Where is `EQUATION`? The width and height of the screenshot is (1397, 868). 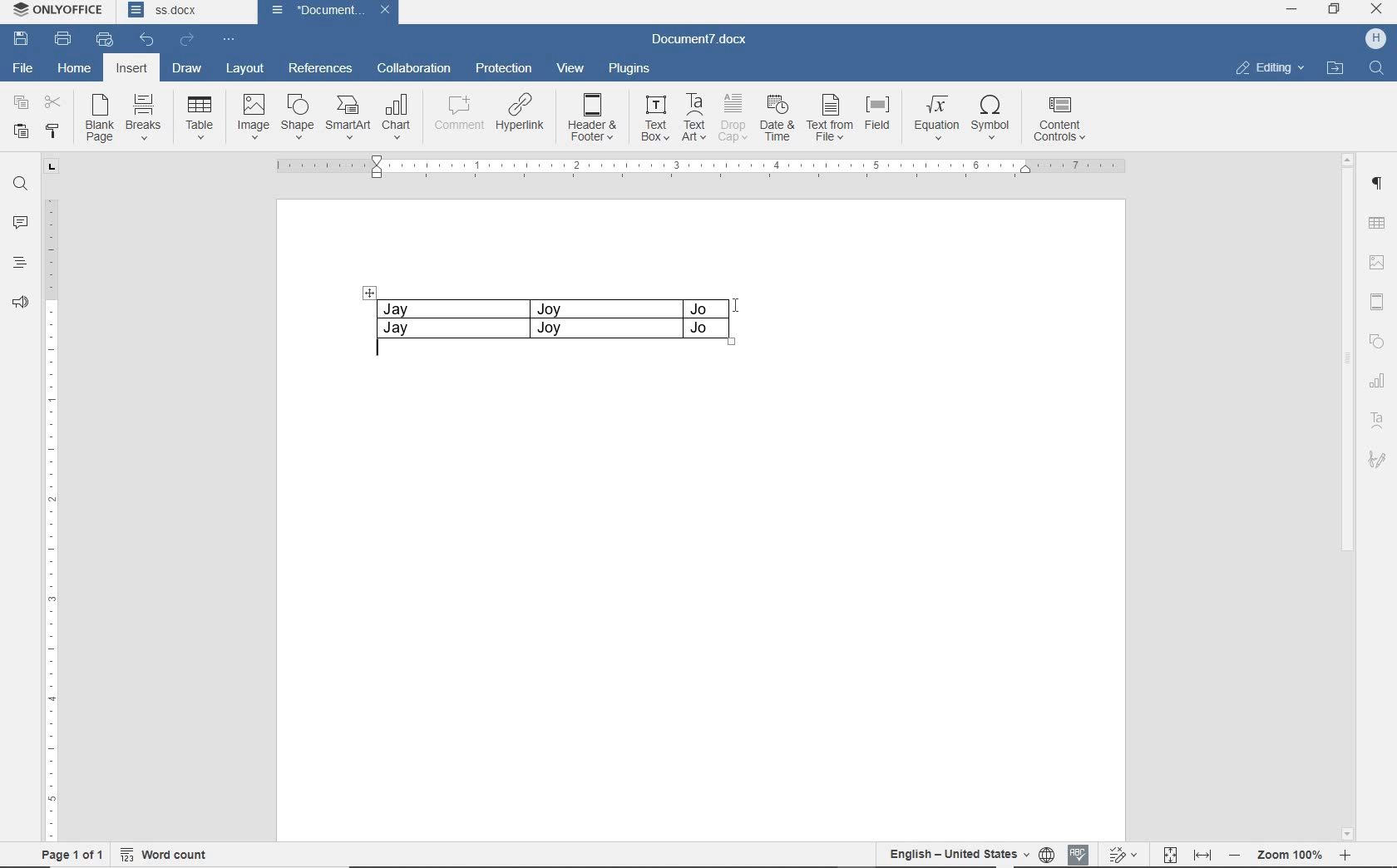
EQUATION is located at coordinates (935, 117).